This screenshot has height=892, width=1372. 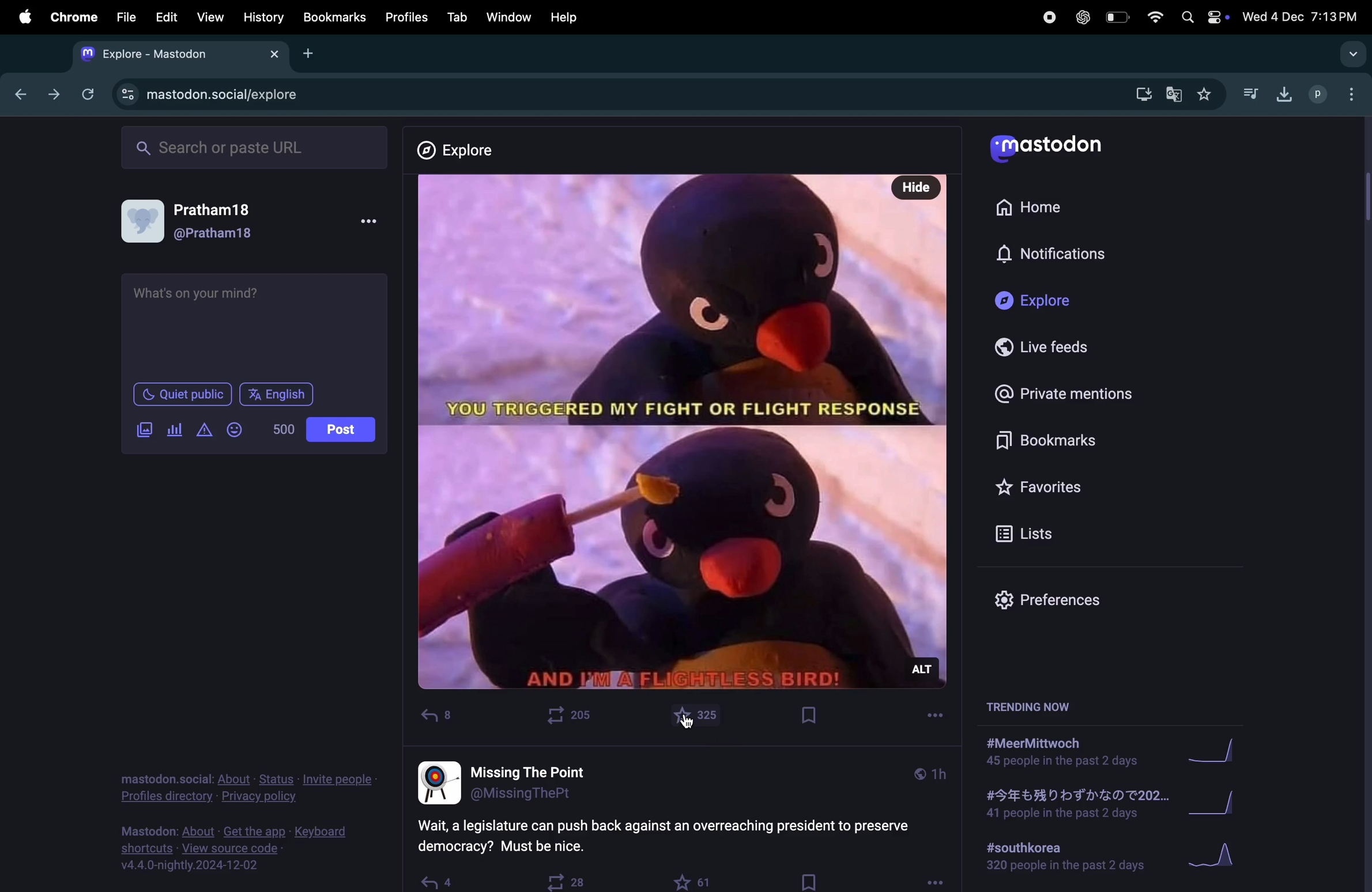 What do you see at coordinates (934, 881) in the screenshot?
I see `options` at bounding box center [934, 881].